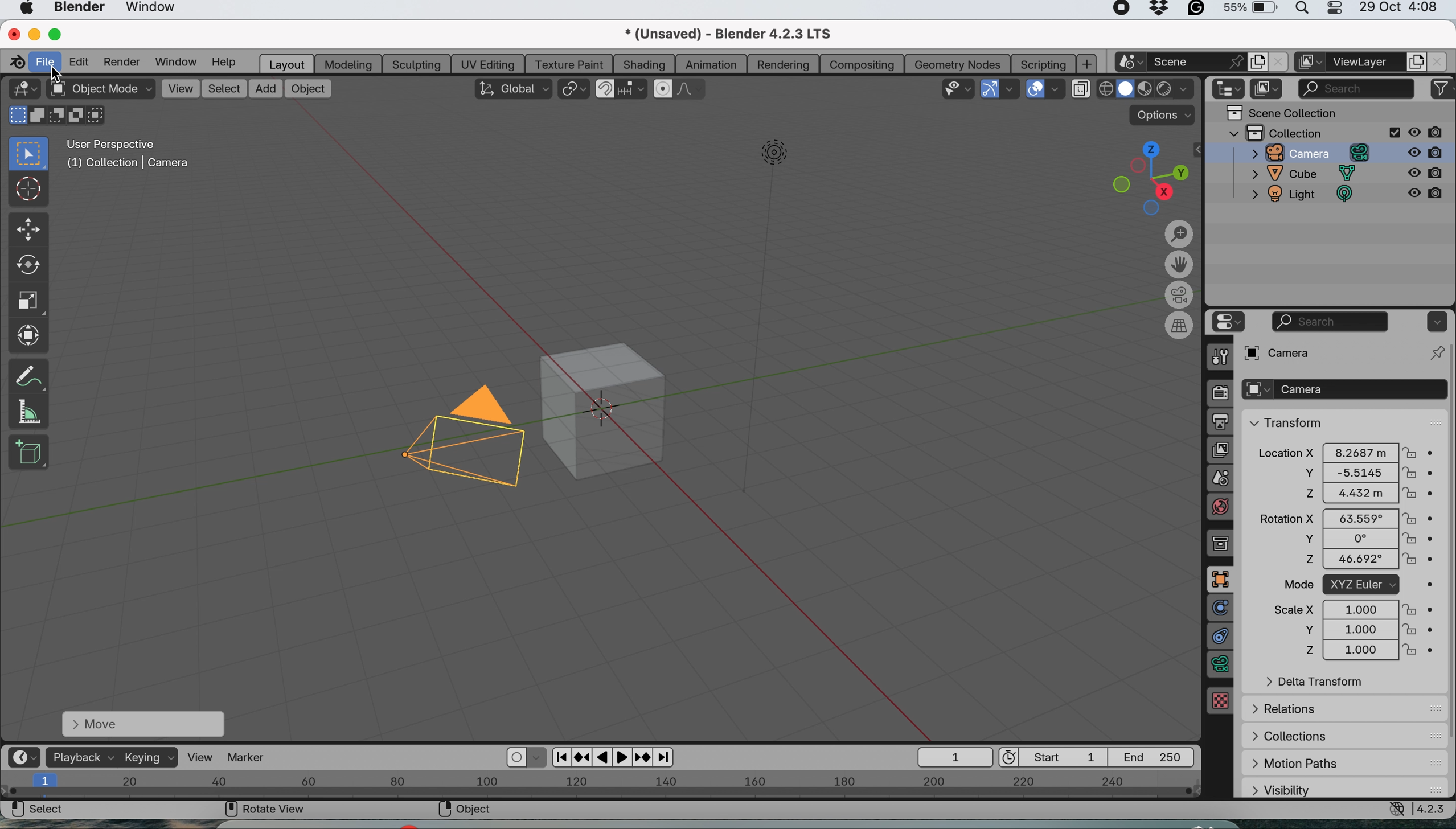 Image resolution: width=1456 pixels, height=829 pixels. Describe the element at coordinates (27, 756) in the screenshot. I see `editor type` at that location.